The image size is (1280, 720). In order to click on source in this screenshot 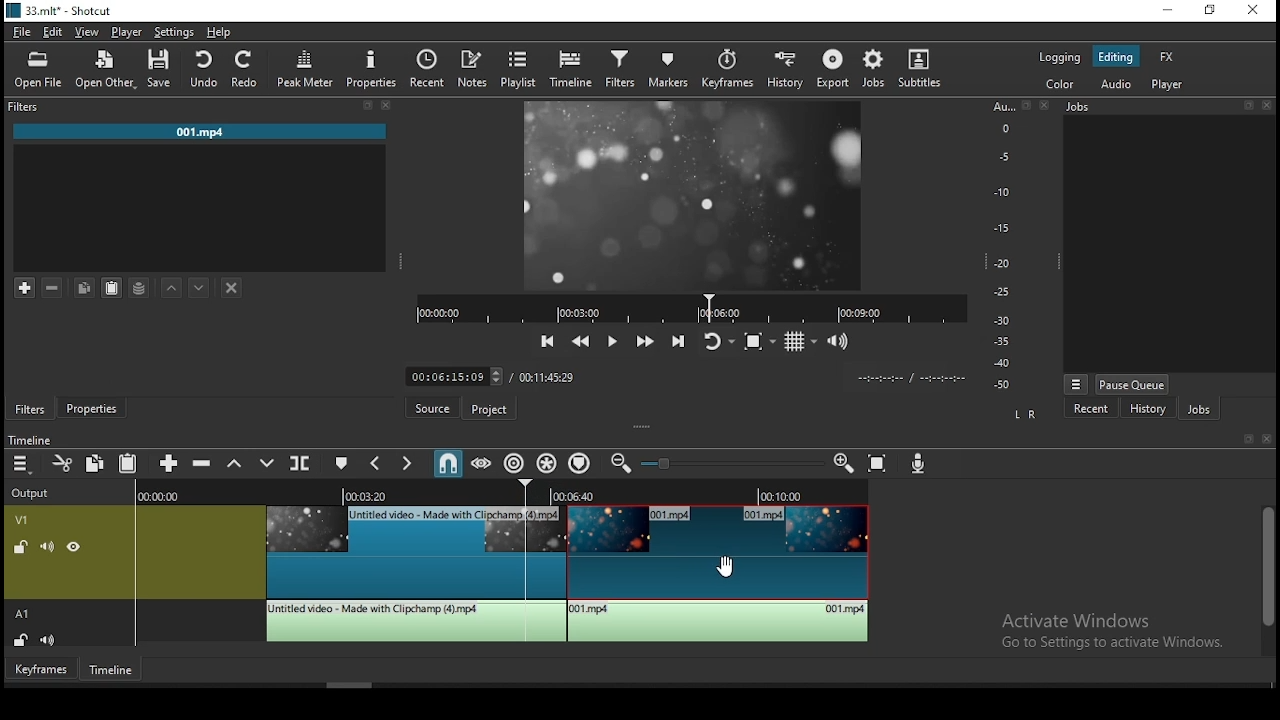, I will do `click(423, 409)`.